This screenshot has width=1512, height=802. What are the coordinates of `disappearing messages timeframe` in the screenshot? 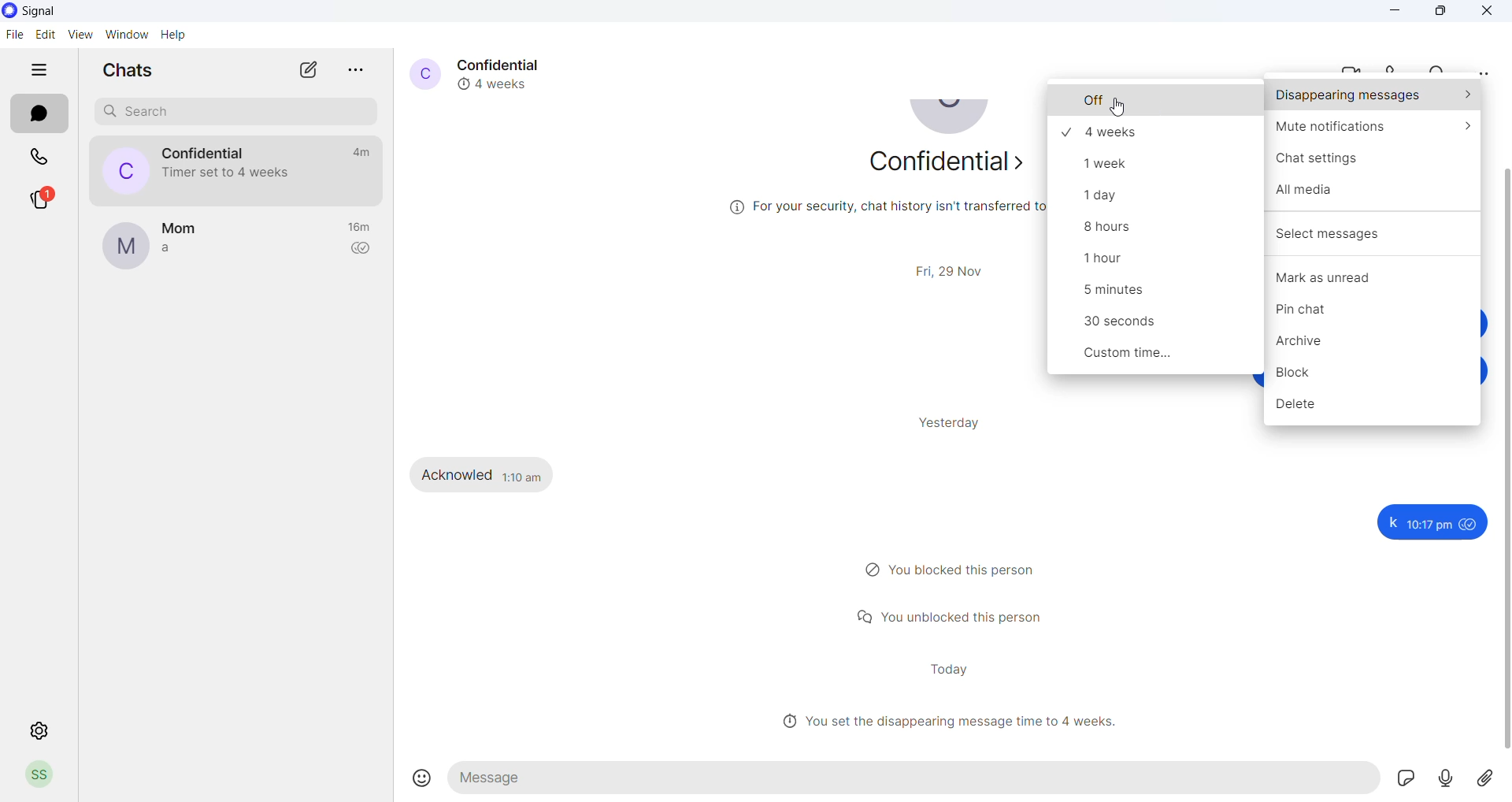 It's located at (1158, 132).